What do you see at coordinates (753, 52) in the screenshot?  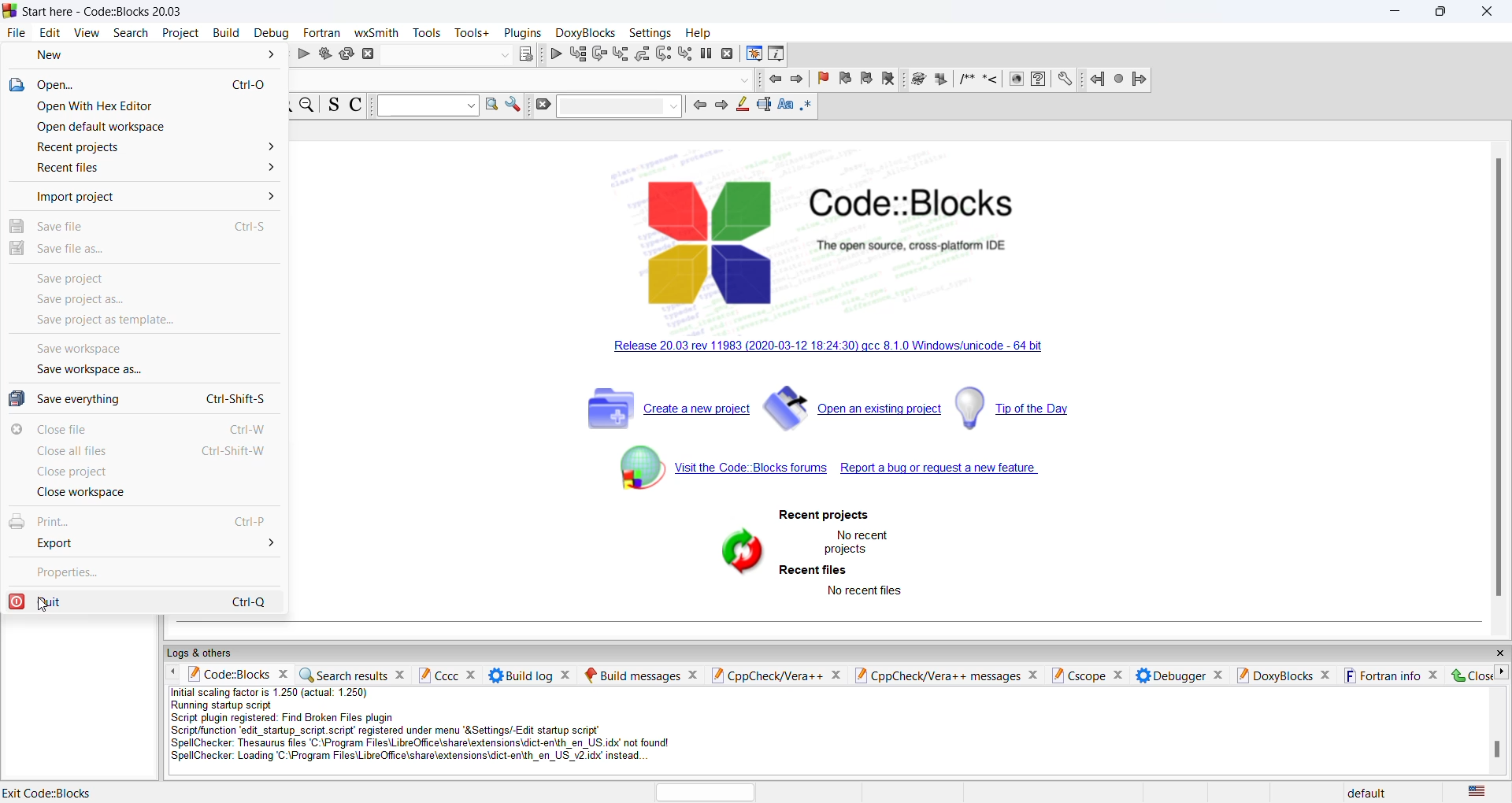 I see `debugging window` at bounding box center [753, 52].